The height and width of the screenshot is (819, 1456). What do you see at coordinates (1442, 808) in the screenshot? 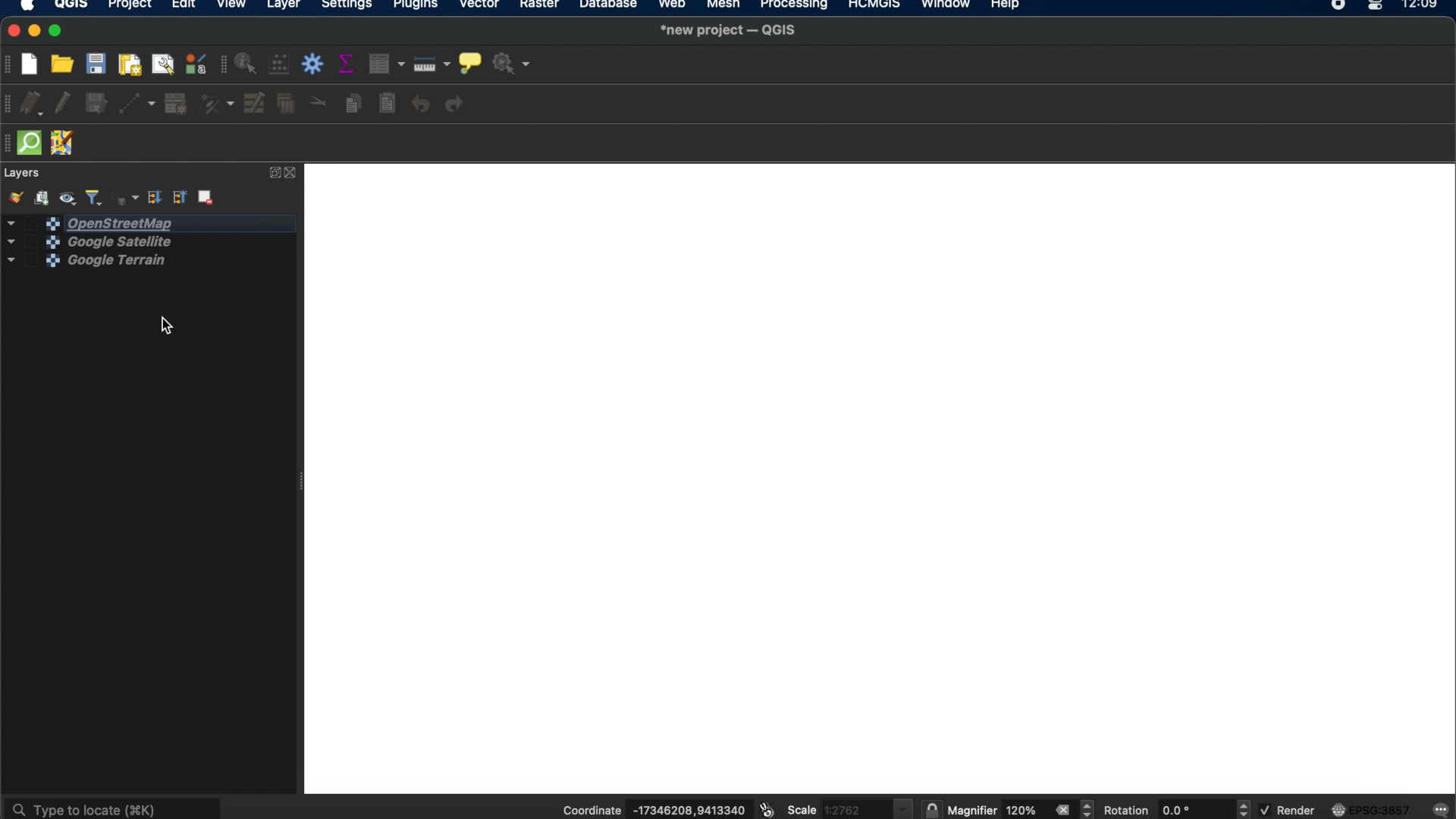
I see `messages` at bounding box center [1442, 808].